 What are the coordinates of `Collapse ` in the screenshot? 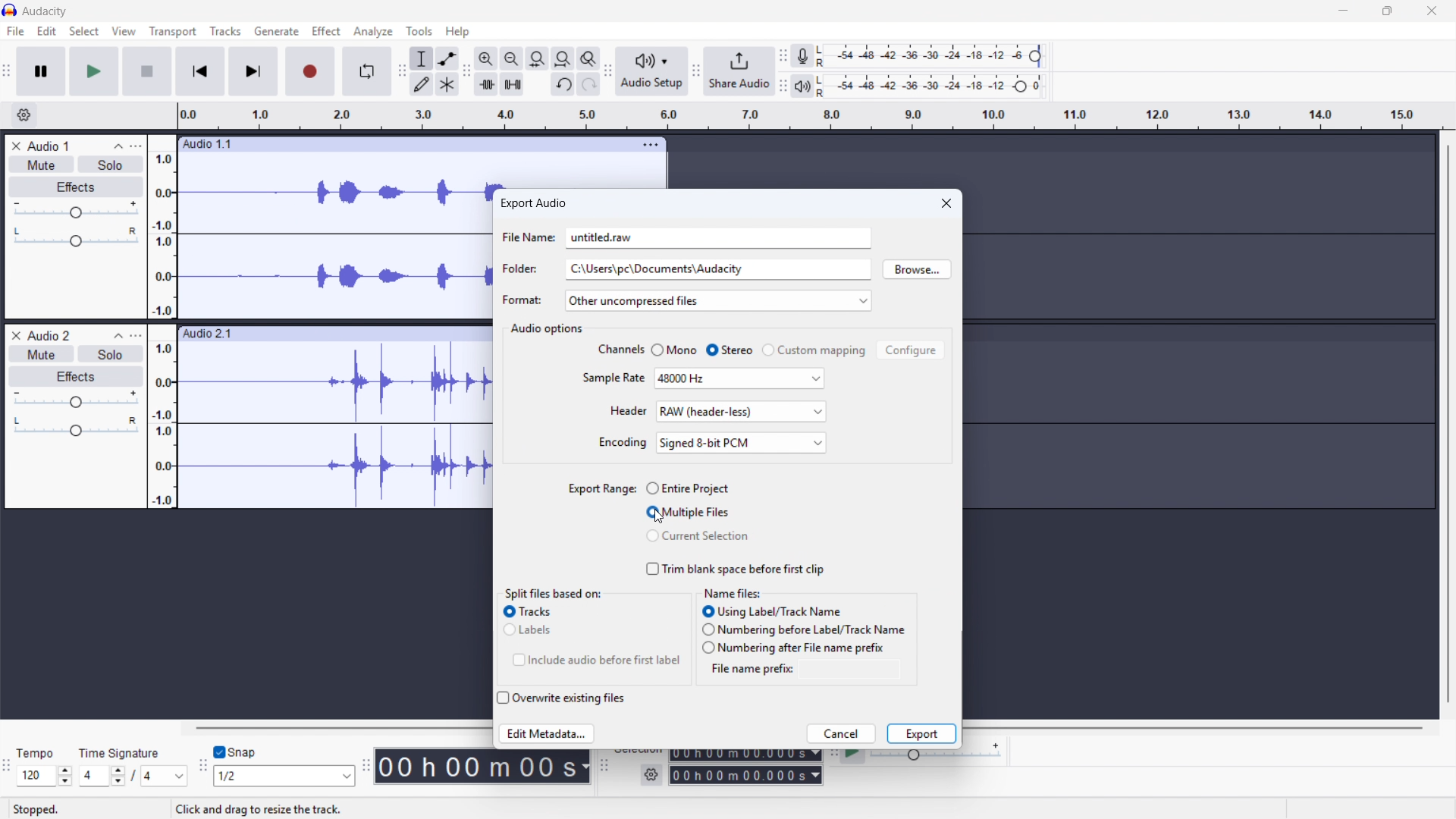 It's located at (115, 335).